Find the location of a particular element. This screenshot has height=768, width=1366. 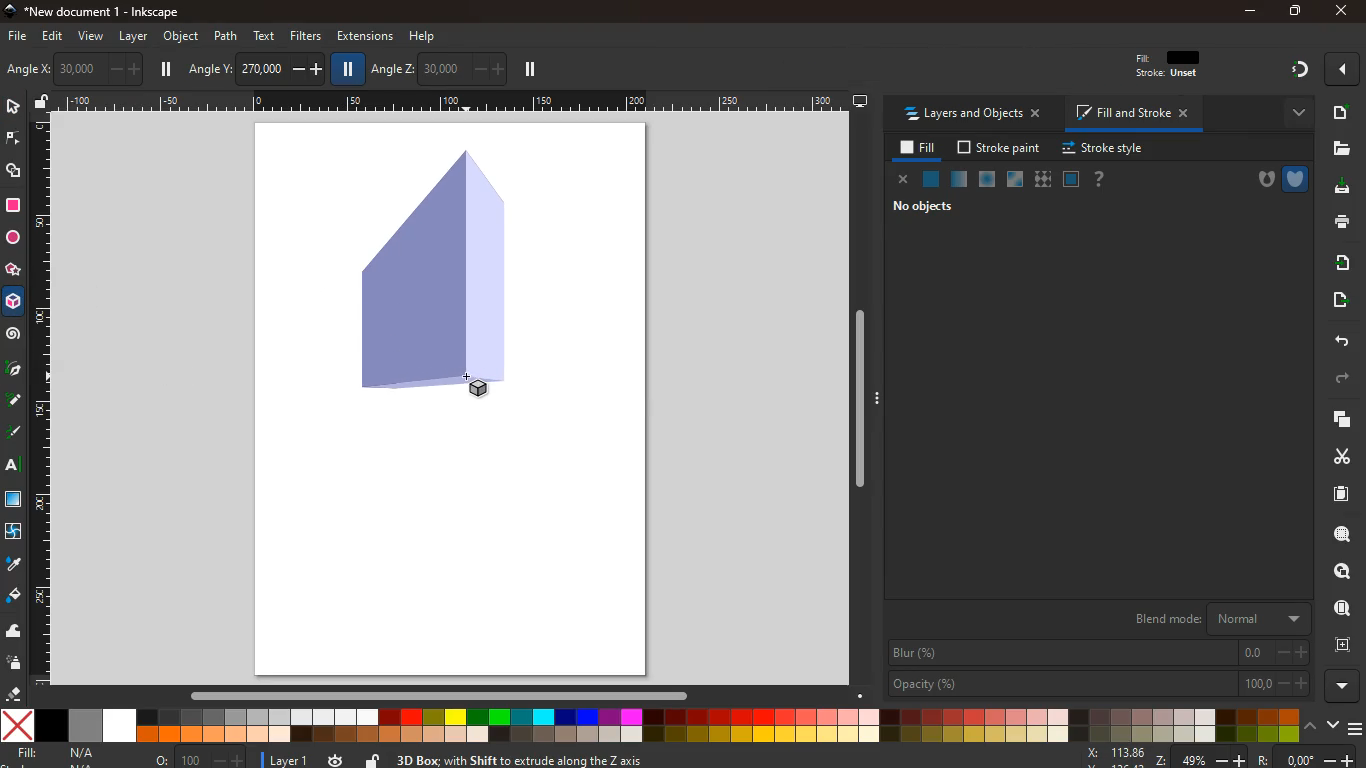

color is located at coordinates (649, 726).